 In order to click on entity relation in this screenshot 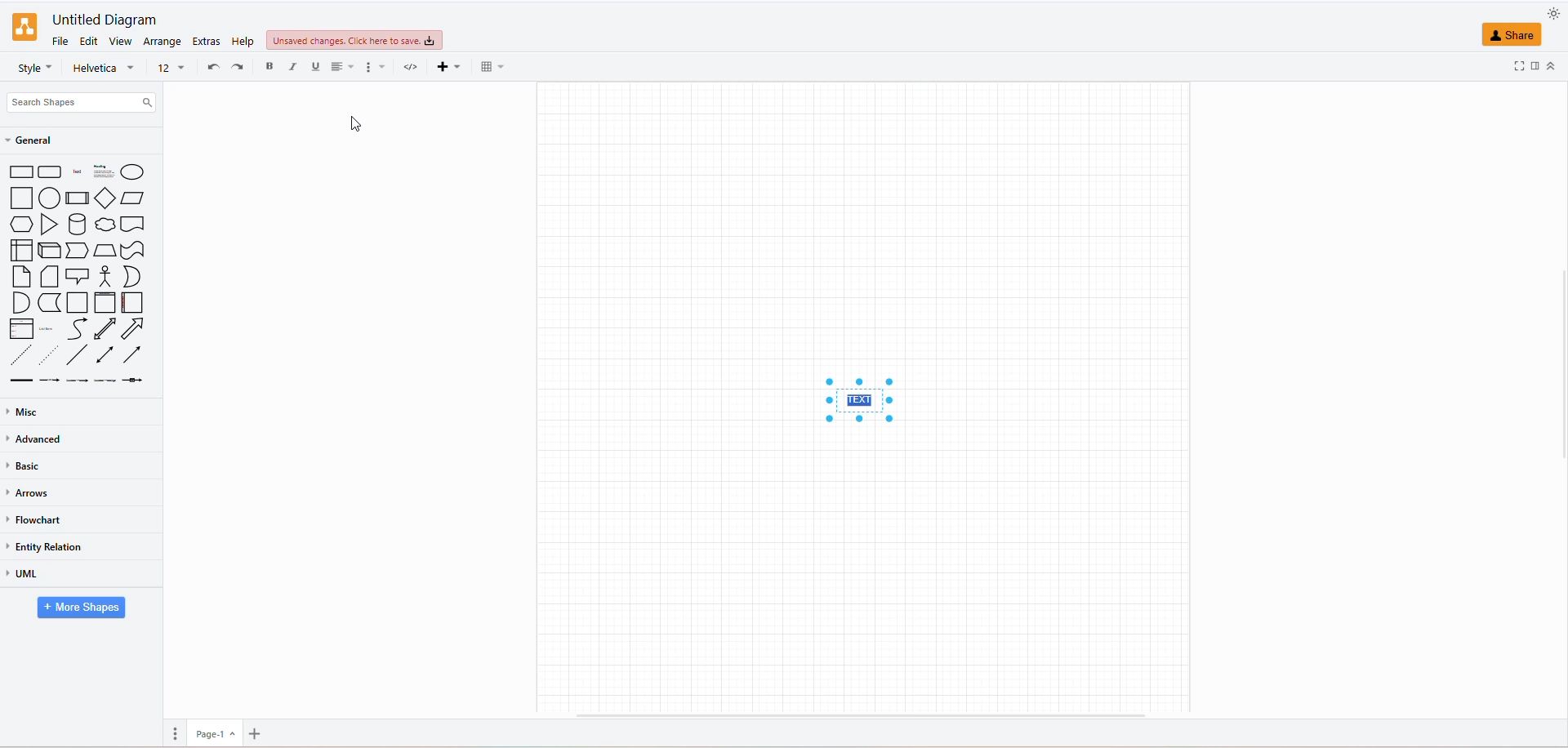, I will do `click(51, 546)`.